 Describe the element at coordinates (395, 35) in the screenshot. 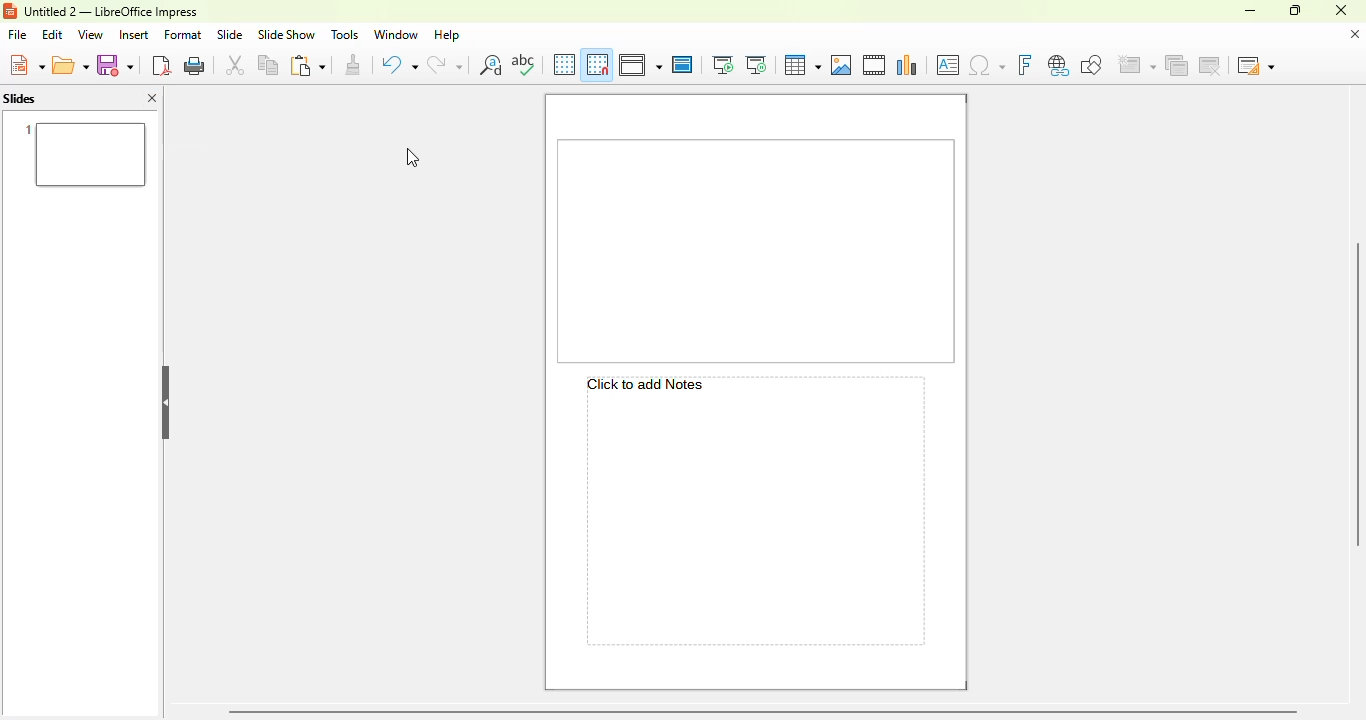

I see `window` at that location.